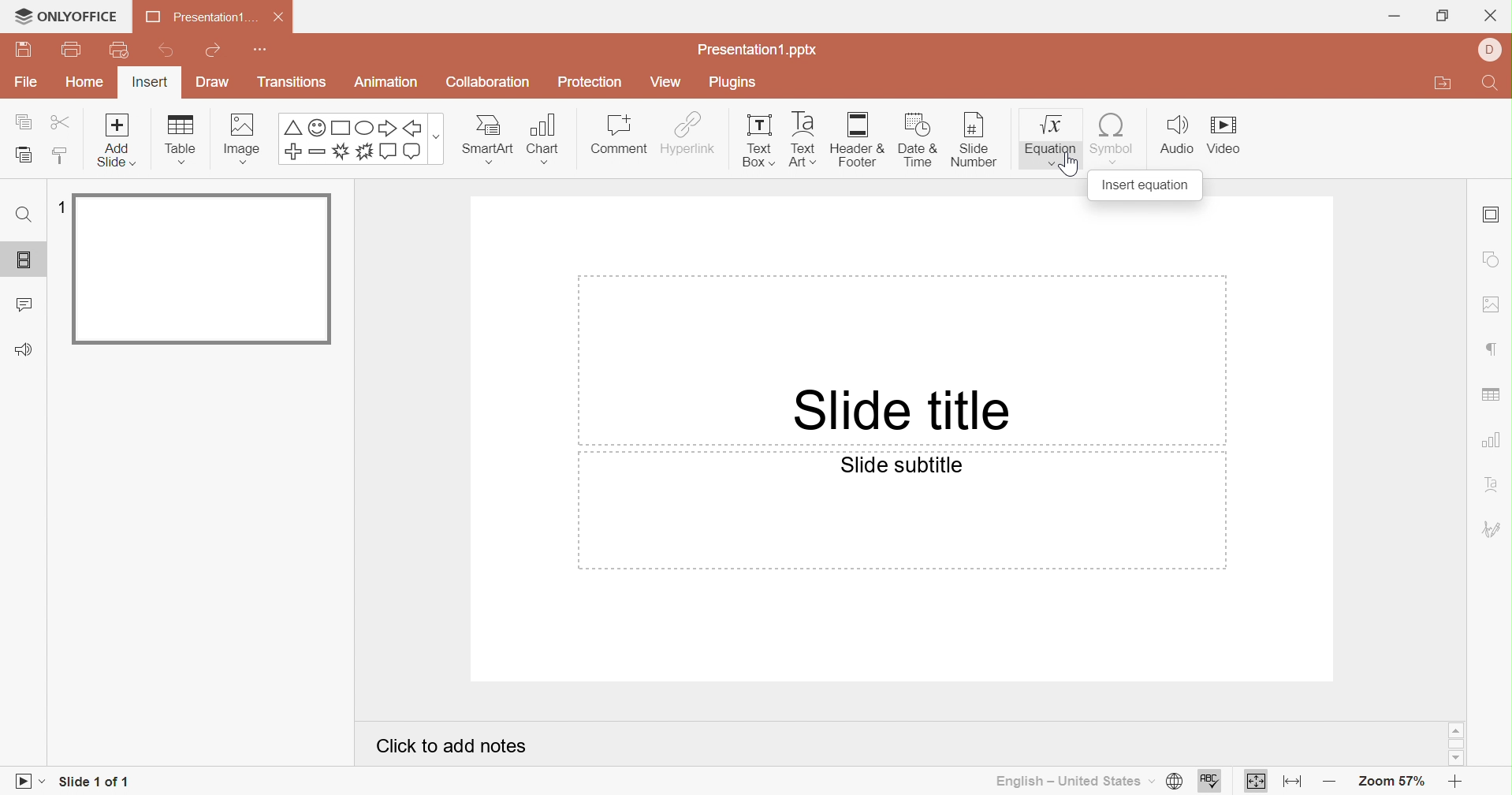 Image resolution: width=1512 pixels, height=795 pixels. I want to click on Minimize, so click(1395, 14).